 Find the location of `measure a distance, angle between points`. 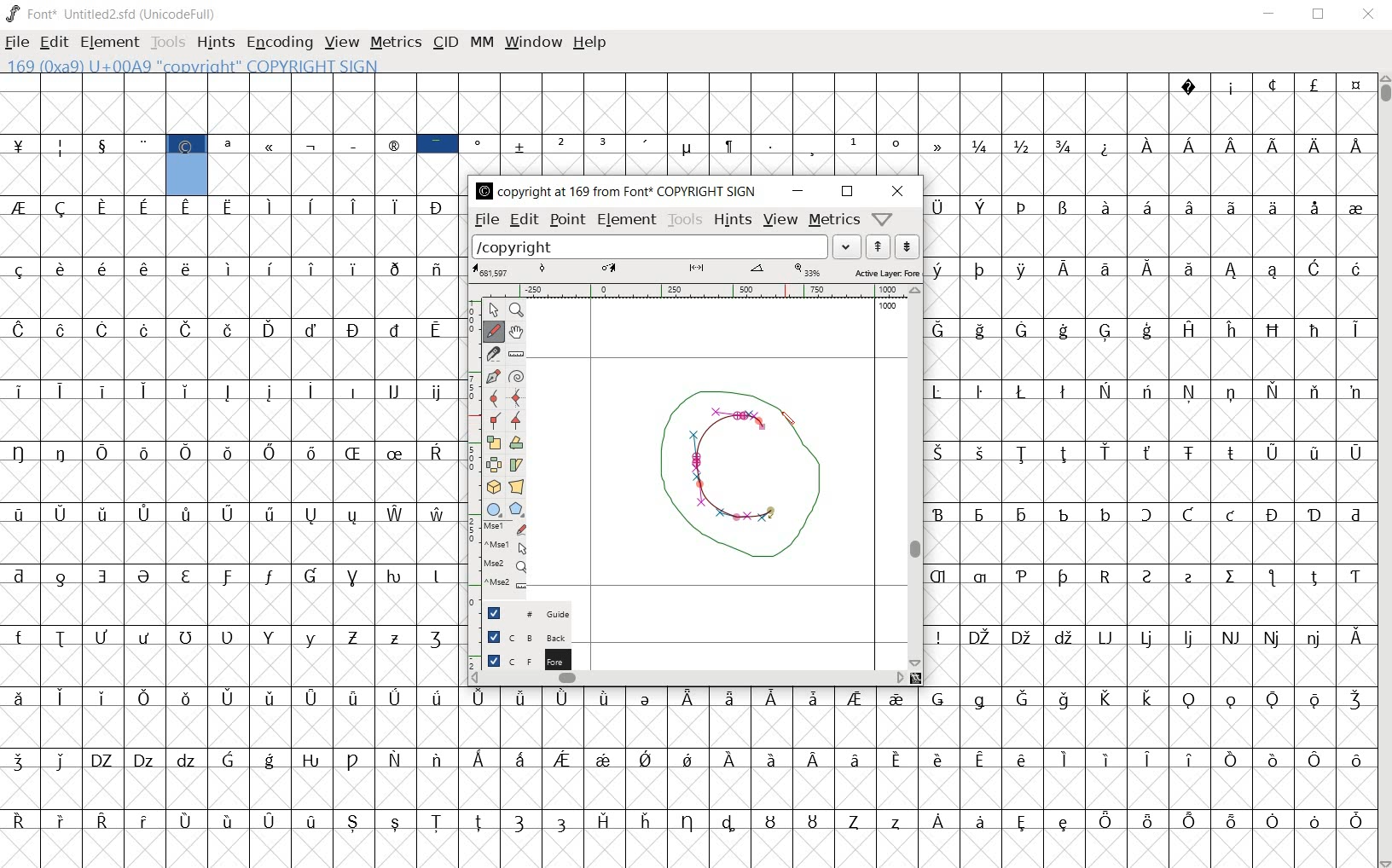

measure a distance, angle between points is located at coordinates (516, 355).